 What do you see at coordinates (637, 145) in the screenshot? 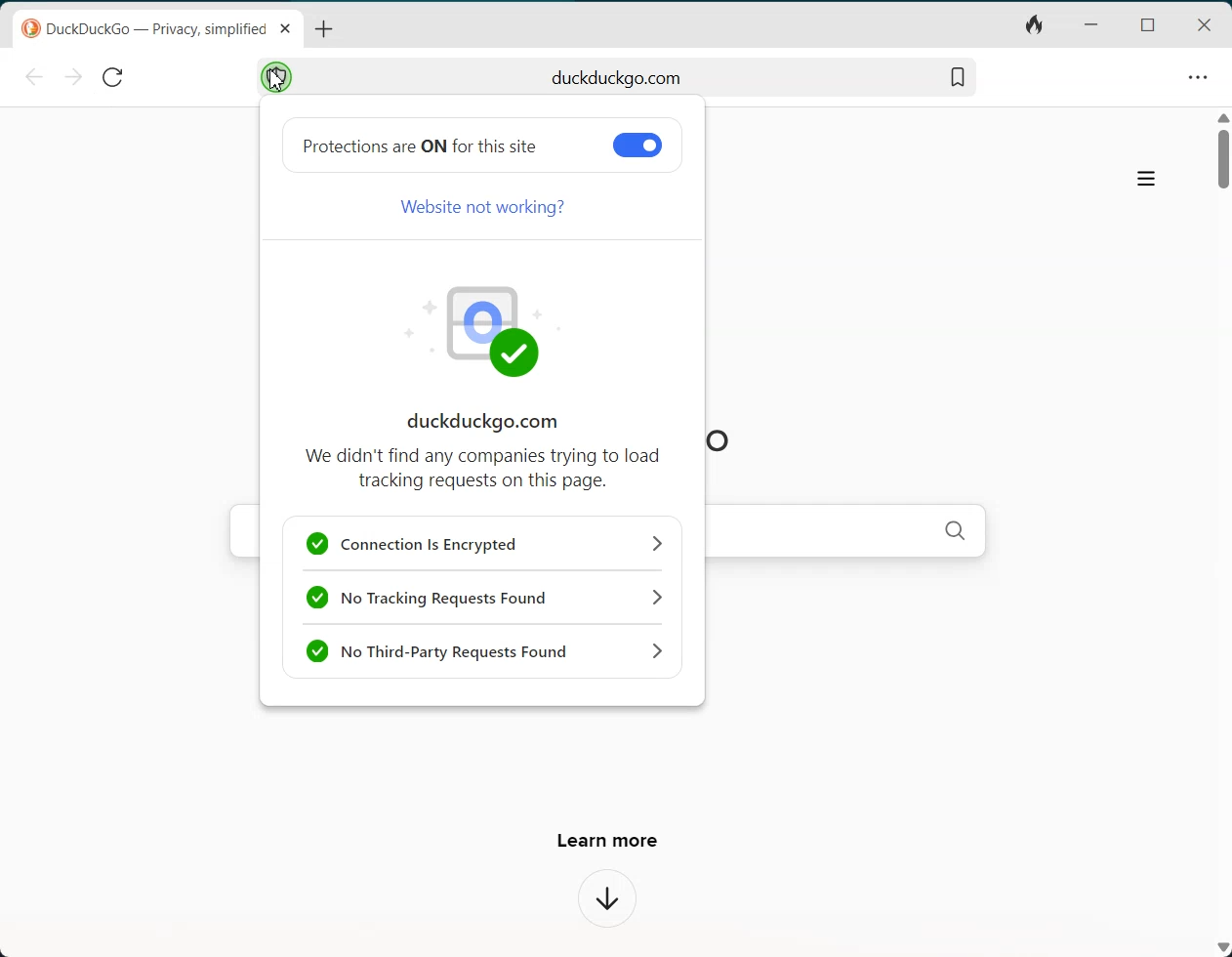
I see `Enable/disable Protection ON` at bounding box center [637, 145].